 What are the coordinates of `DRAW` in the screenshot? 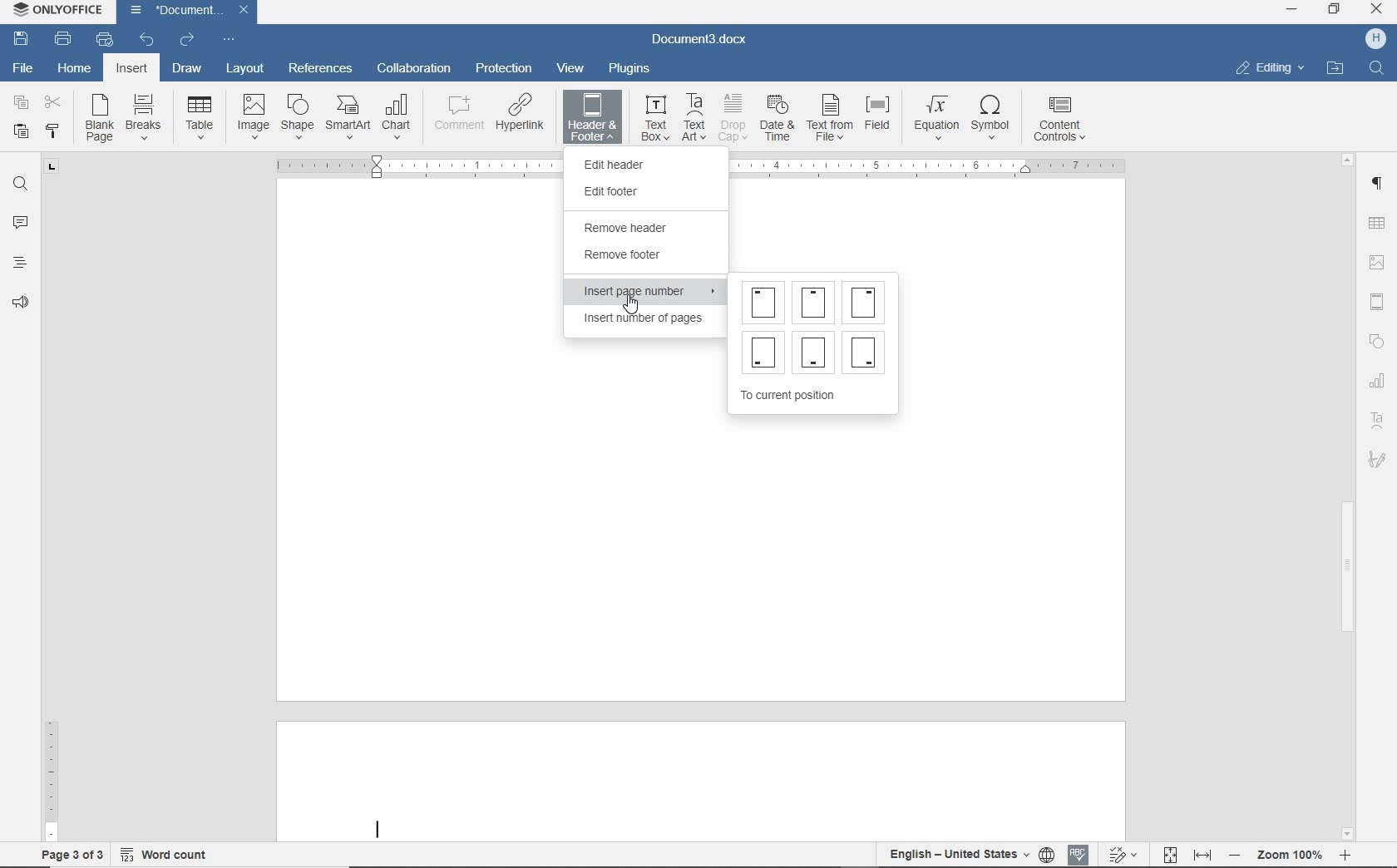 It's located at (185, 70).